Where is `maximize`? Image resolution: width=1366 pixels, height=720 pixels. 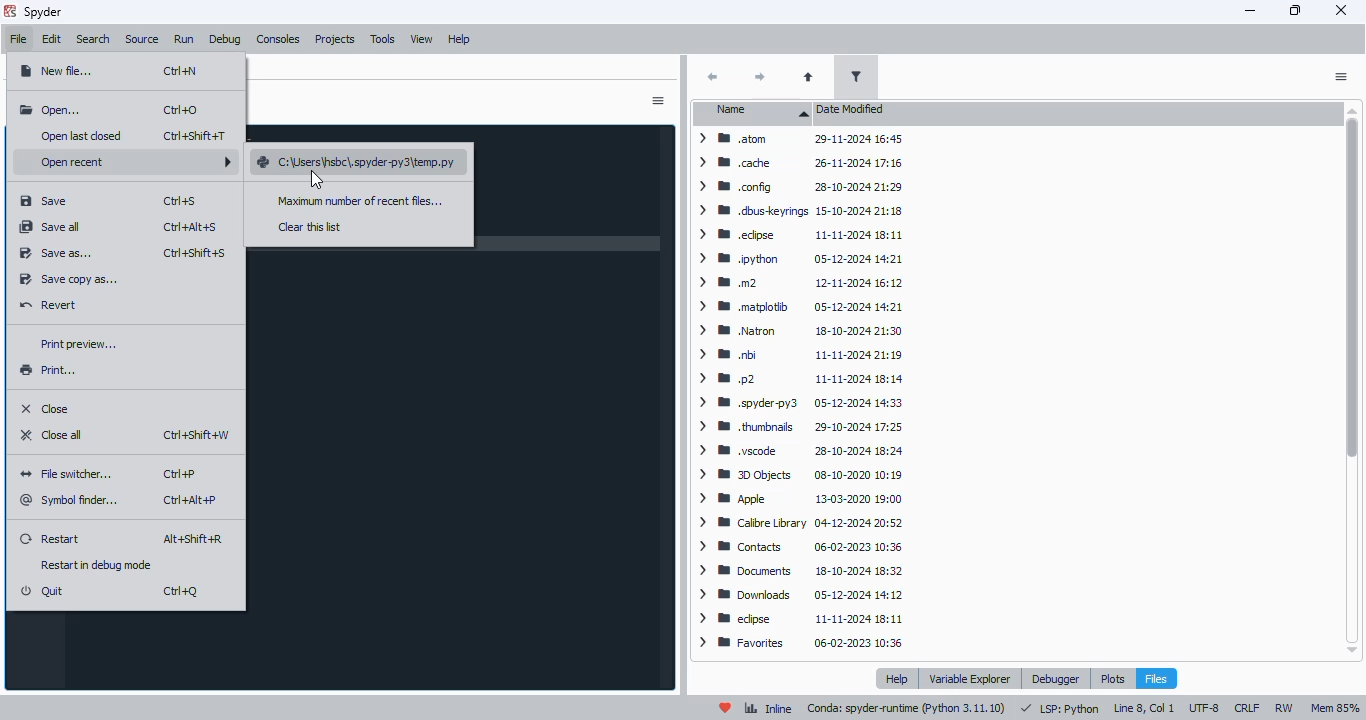 maximize is located at coordinates (1297, 10).